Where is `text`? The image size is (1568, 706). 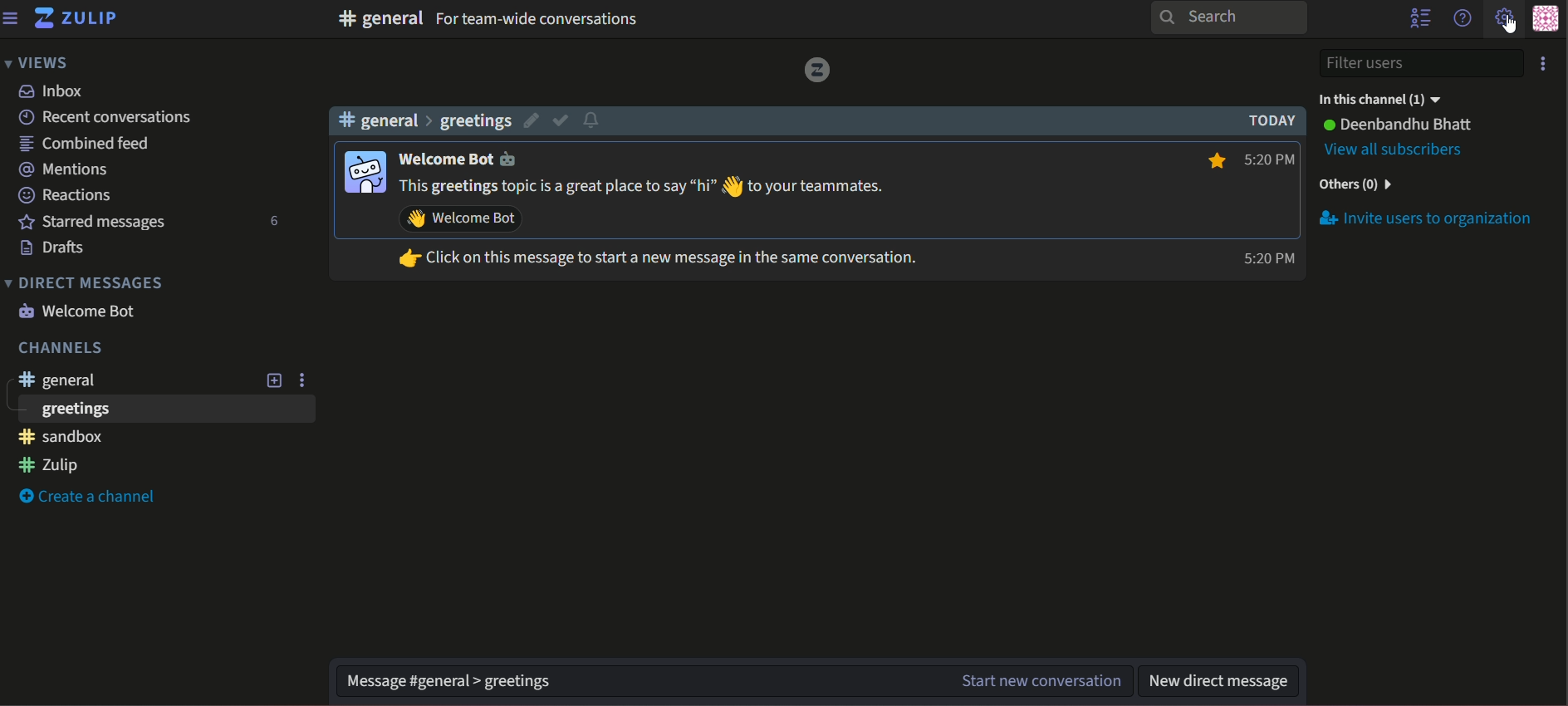
text is located at coordinates (1428, 218).